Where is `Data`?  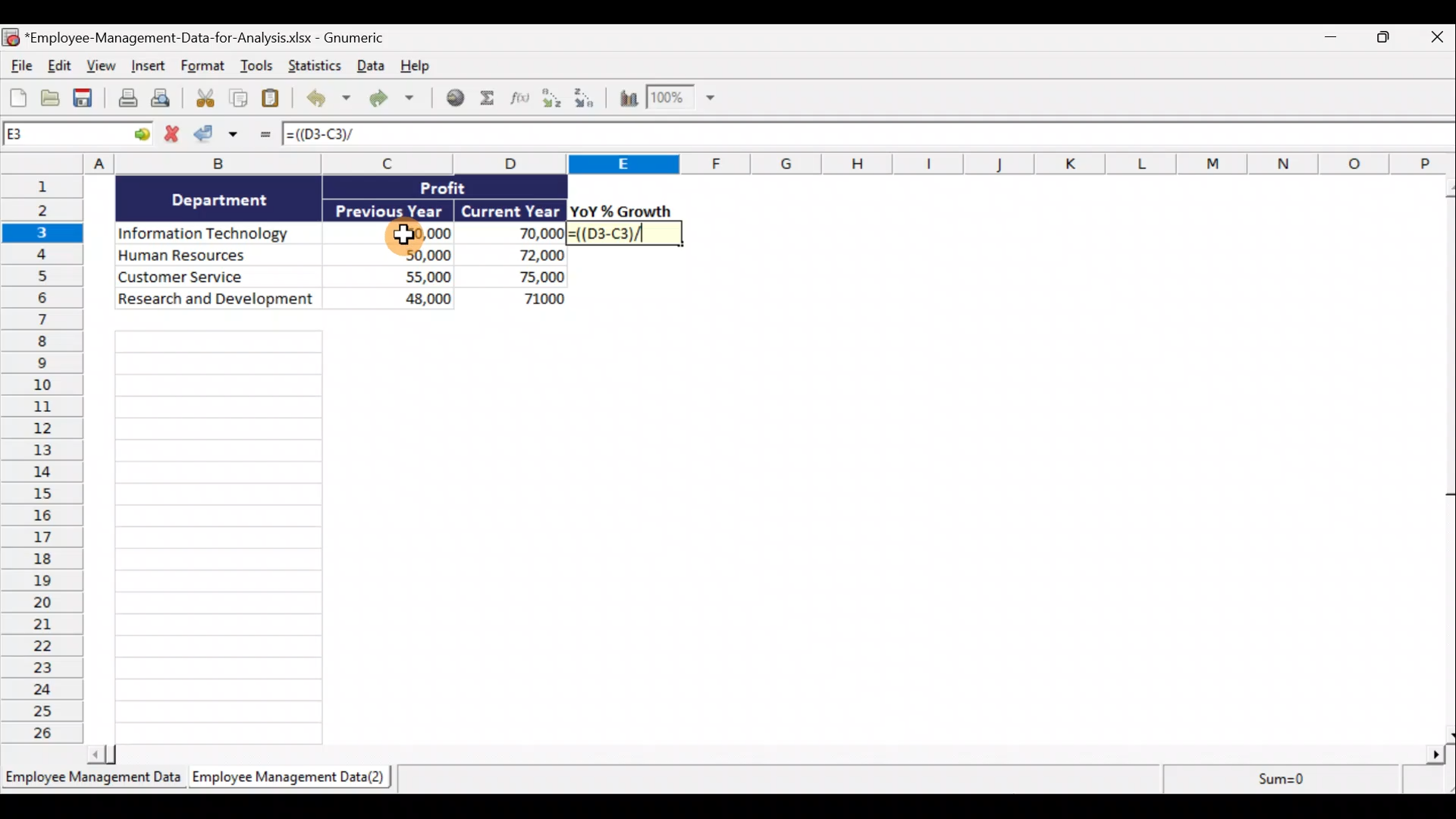 Data is located at coordinates (342, 242).